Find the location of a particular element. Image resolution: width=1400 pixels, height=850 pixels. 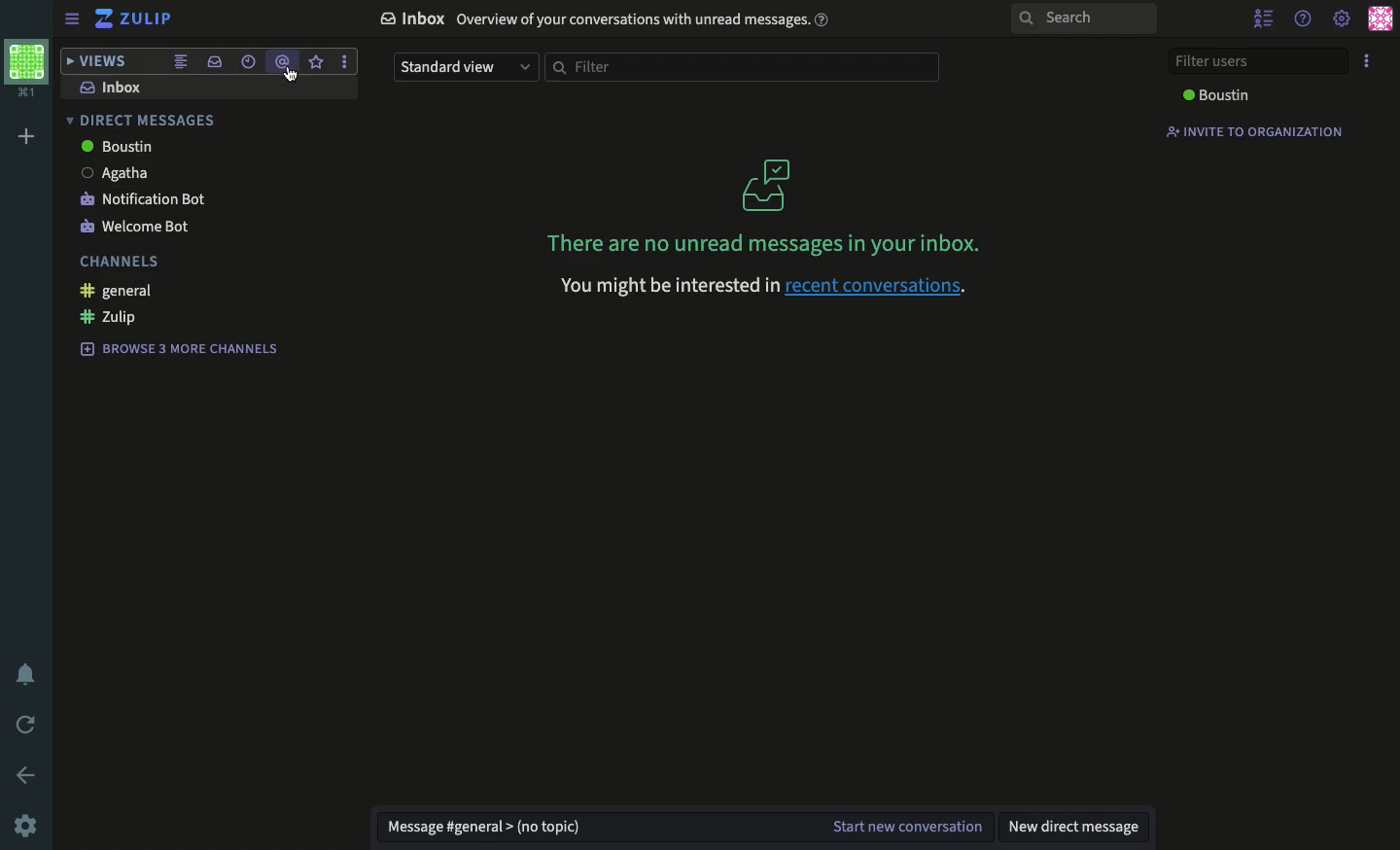

sidebar is located at coordinates (71, 18).